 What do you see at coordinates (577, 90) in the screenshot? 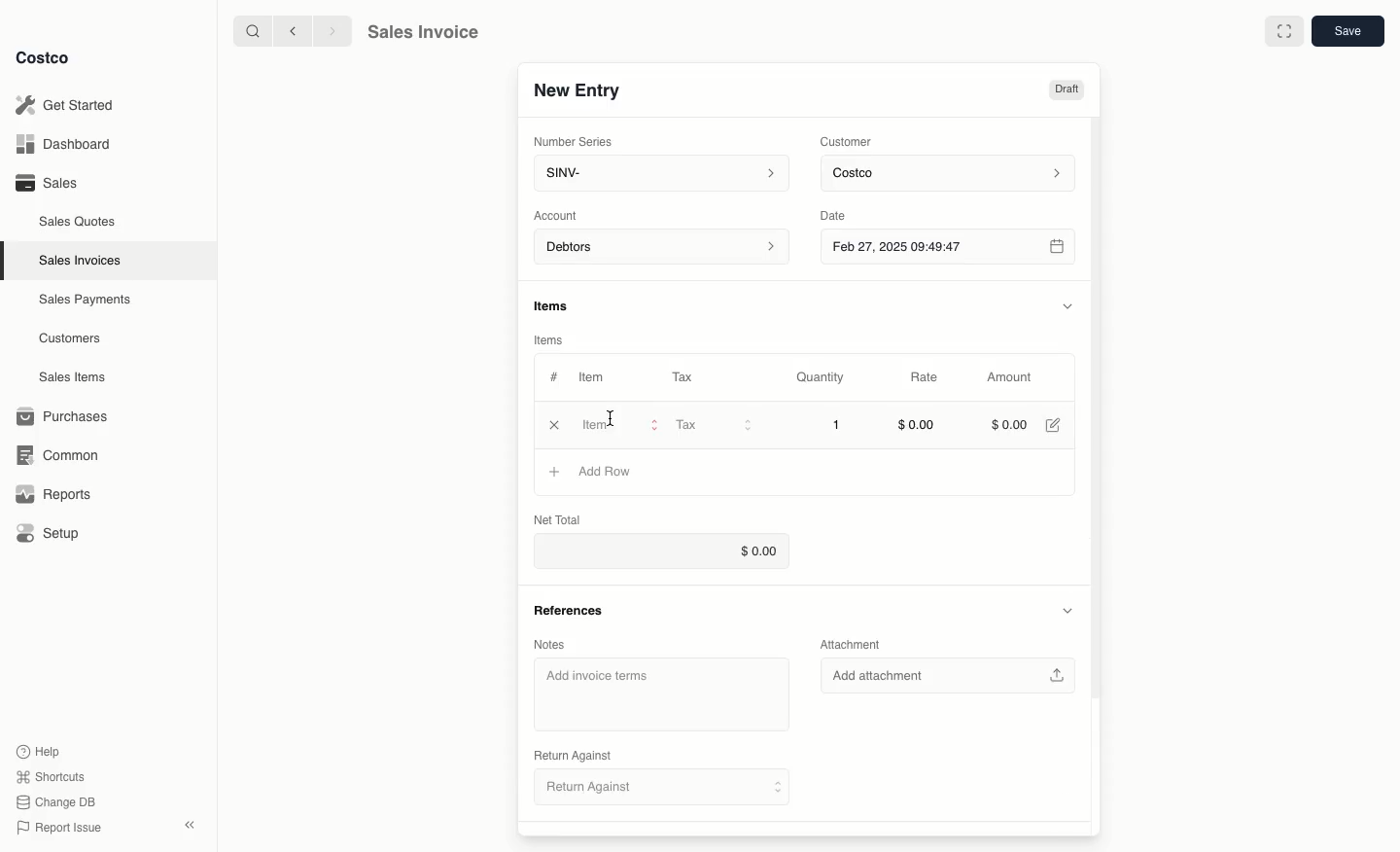
I see `New Entry` at bounding box center [577, 90].